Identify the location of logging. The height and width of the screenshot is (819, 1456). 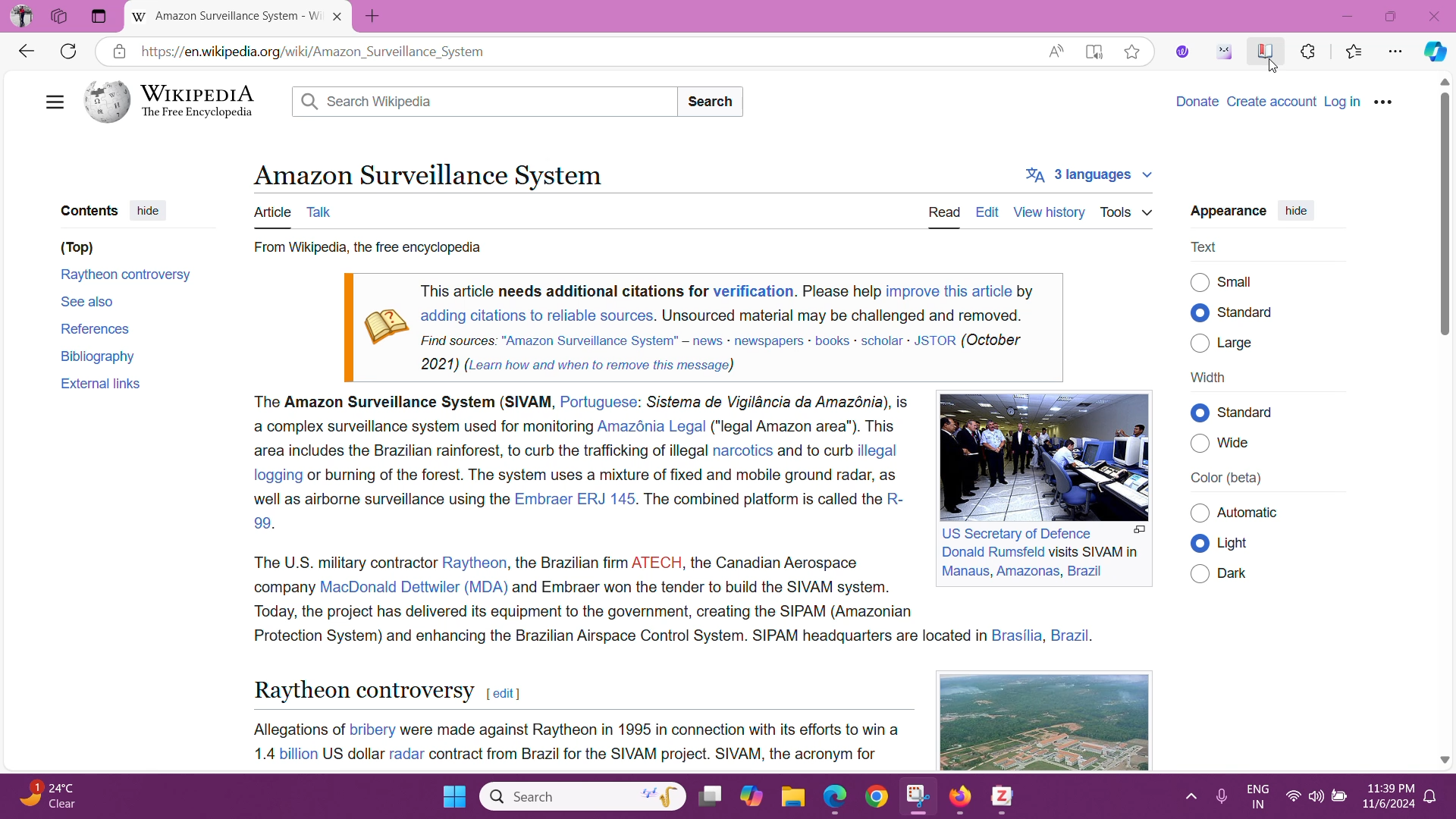
(275, 475).